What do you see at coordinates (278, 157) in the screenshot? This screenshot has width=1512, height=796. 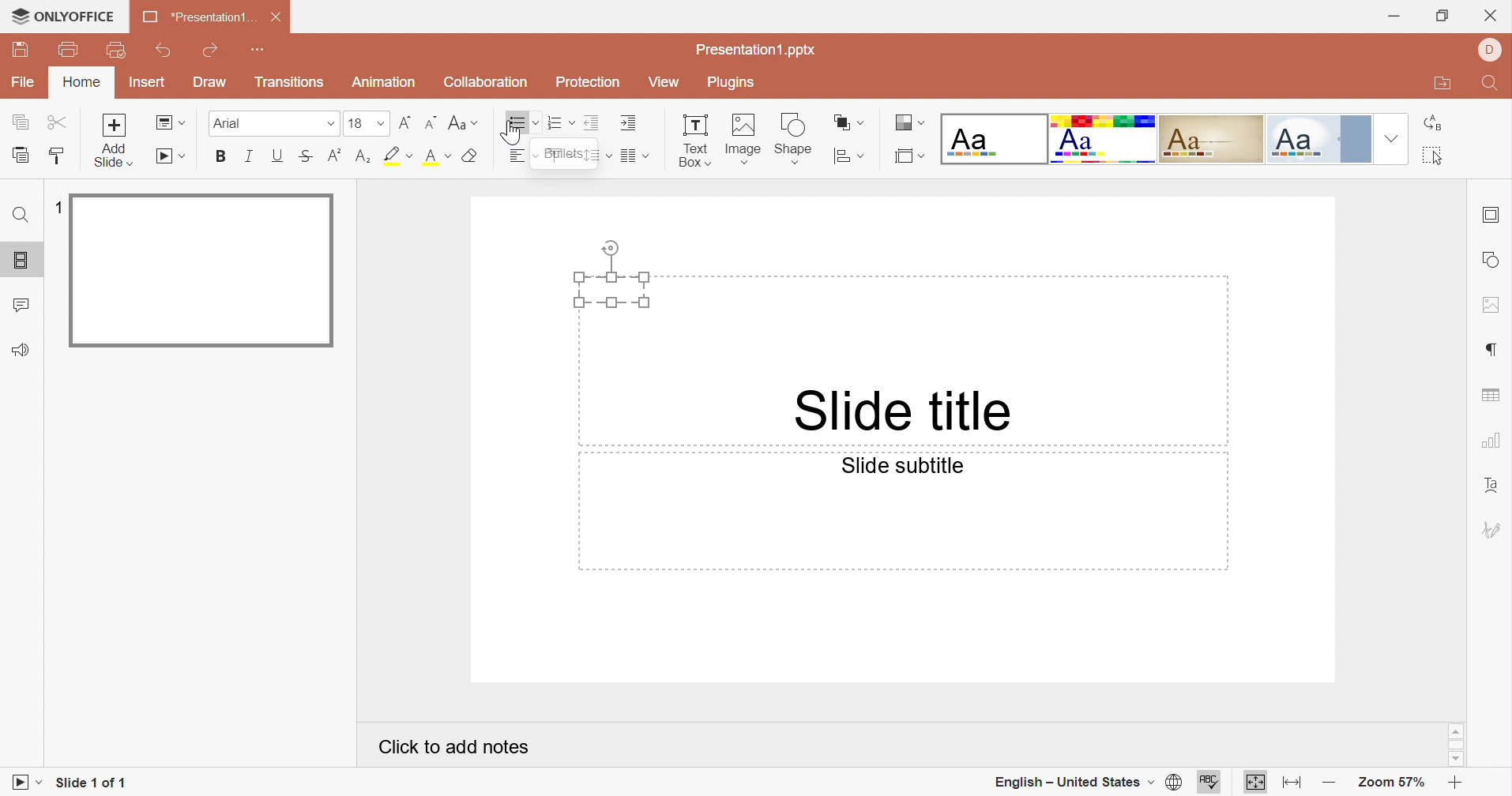 I see `Underline` at bounding box center [278, 157].